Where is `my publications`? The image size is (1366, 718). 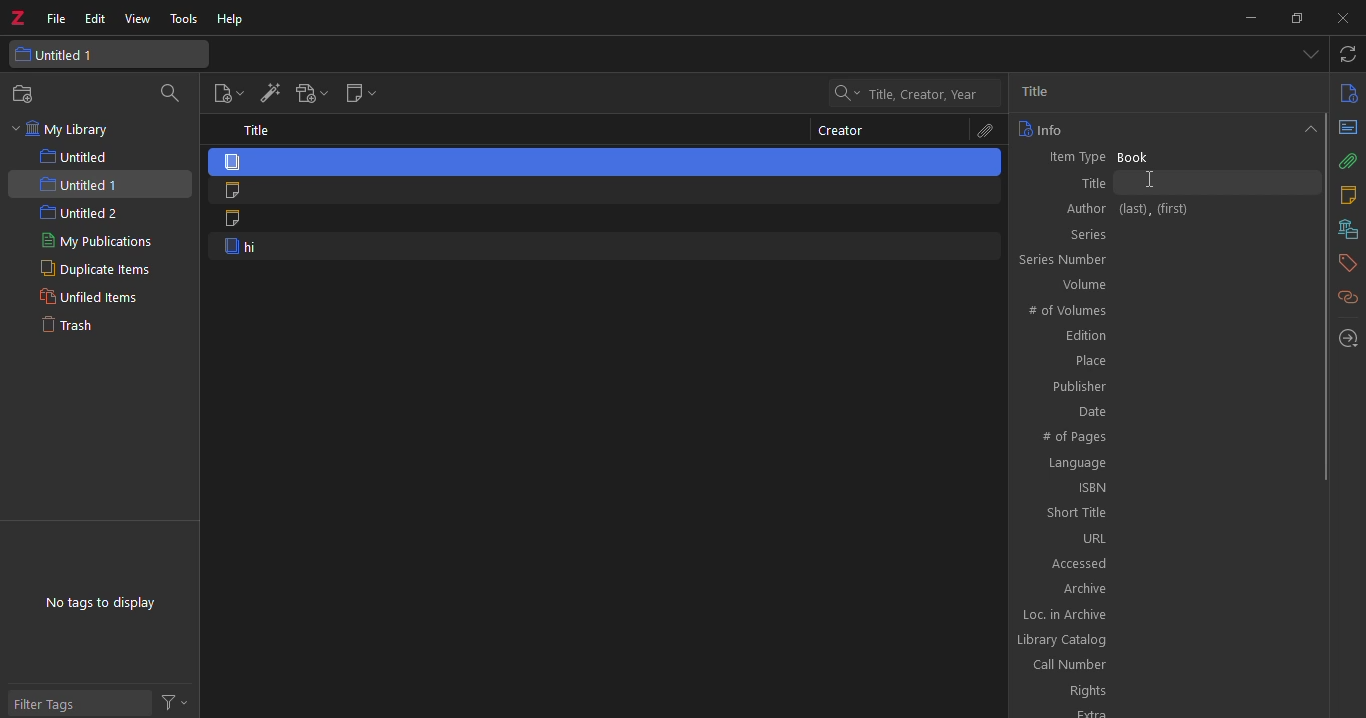 my publications is located at coordinates (104, 243).